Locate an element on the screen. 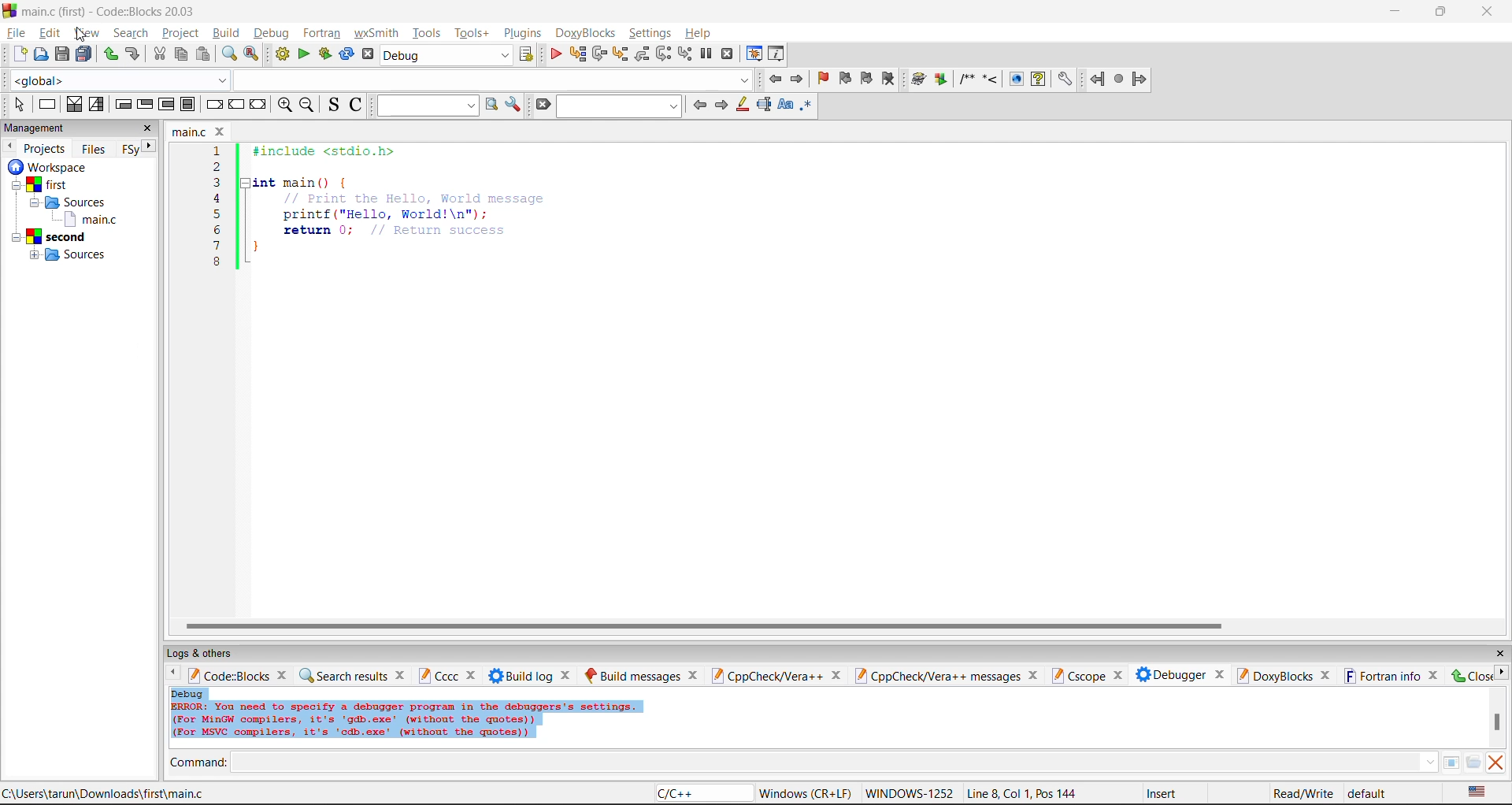 The width and height of the screenshot is (1512, 805). cut is located at coordinates (157, 57).